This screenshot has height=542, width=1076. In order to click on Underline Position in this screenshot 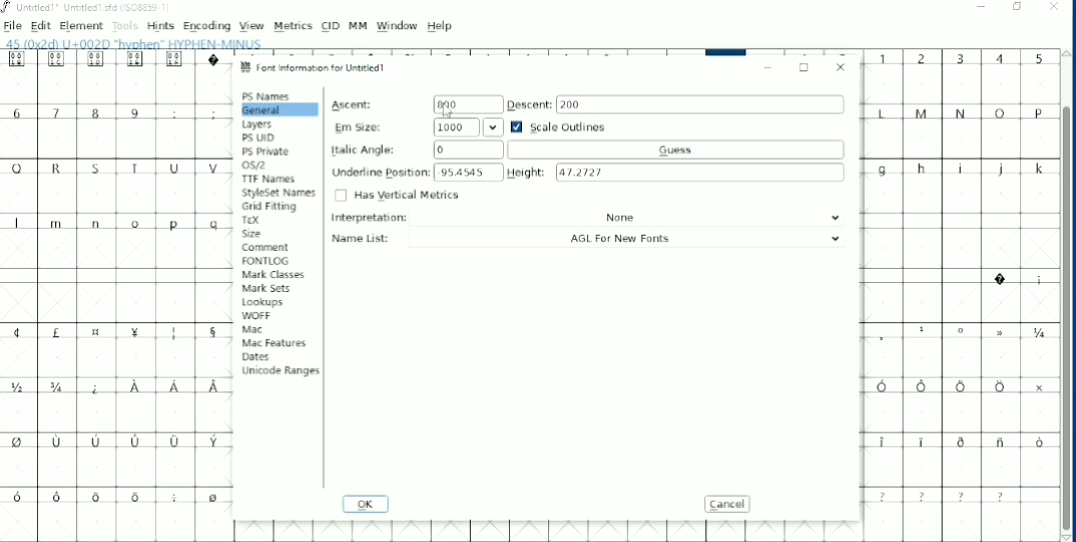, I will do `click(416, 172)`.